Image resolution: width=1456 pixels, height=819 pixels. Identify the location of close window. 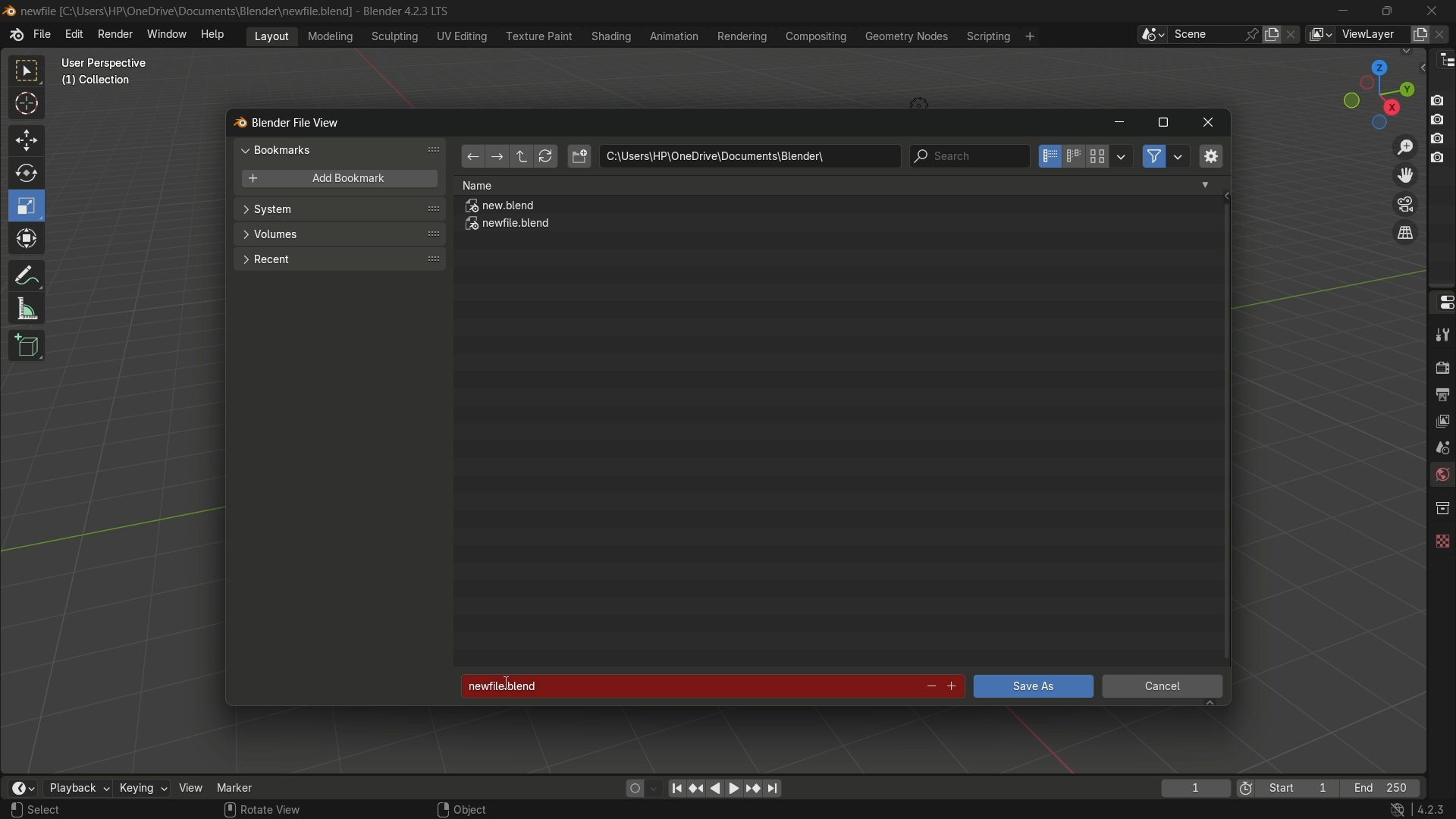
(1209, 123).